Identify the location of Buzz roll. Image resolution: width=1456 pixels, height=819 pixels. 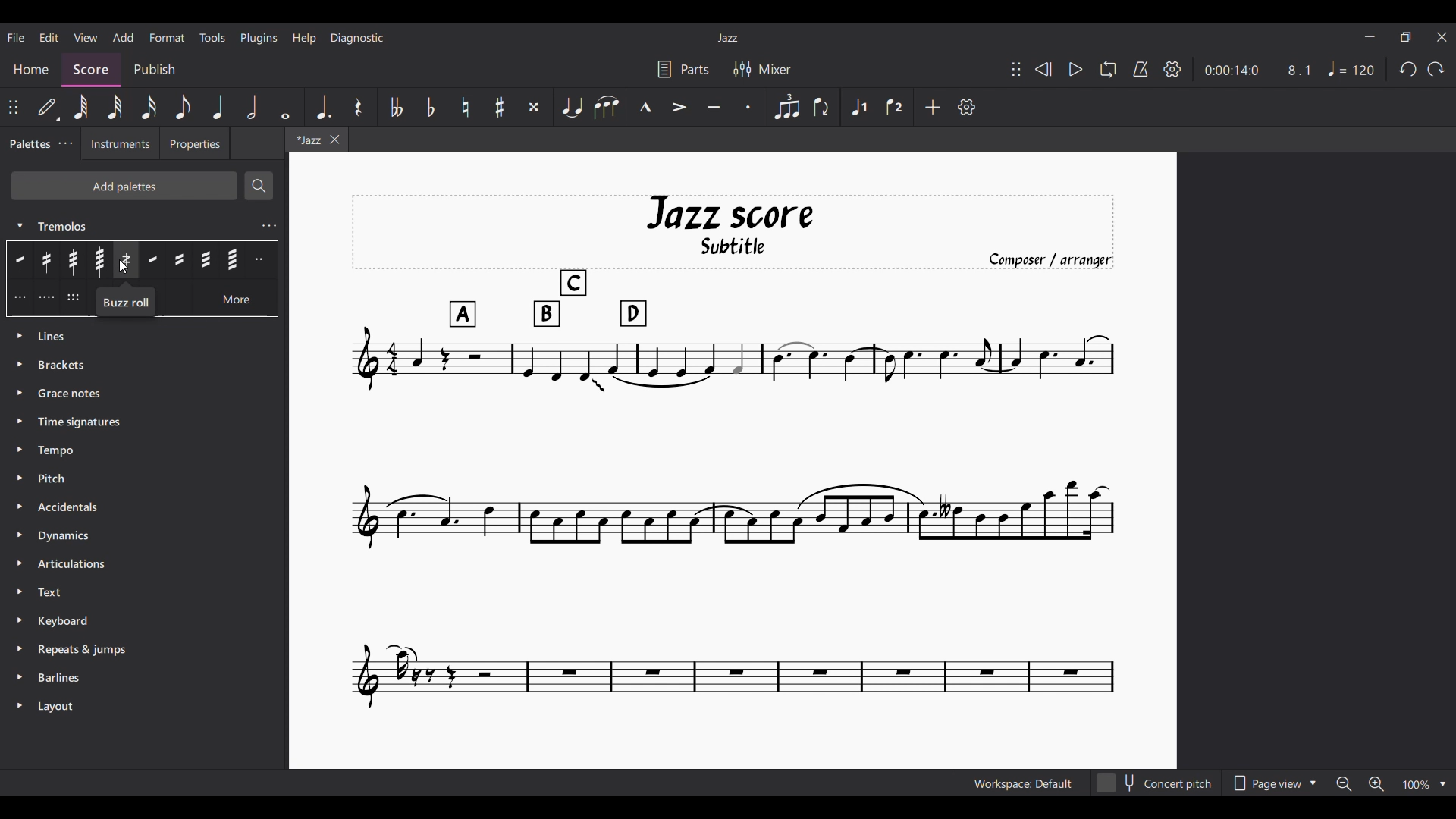
(125, 260).